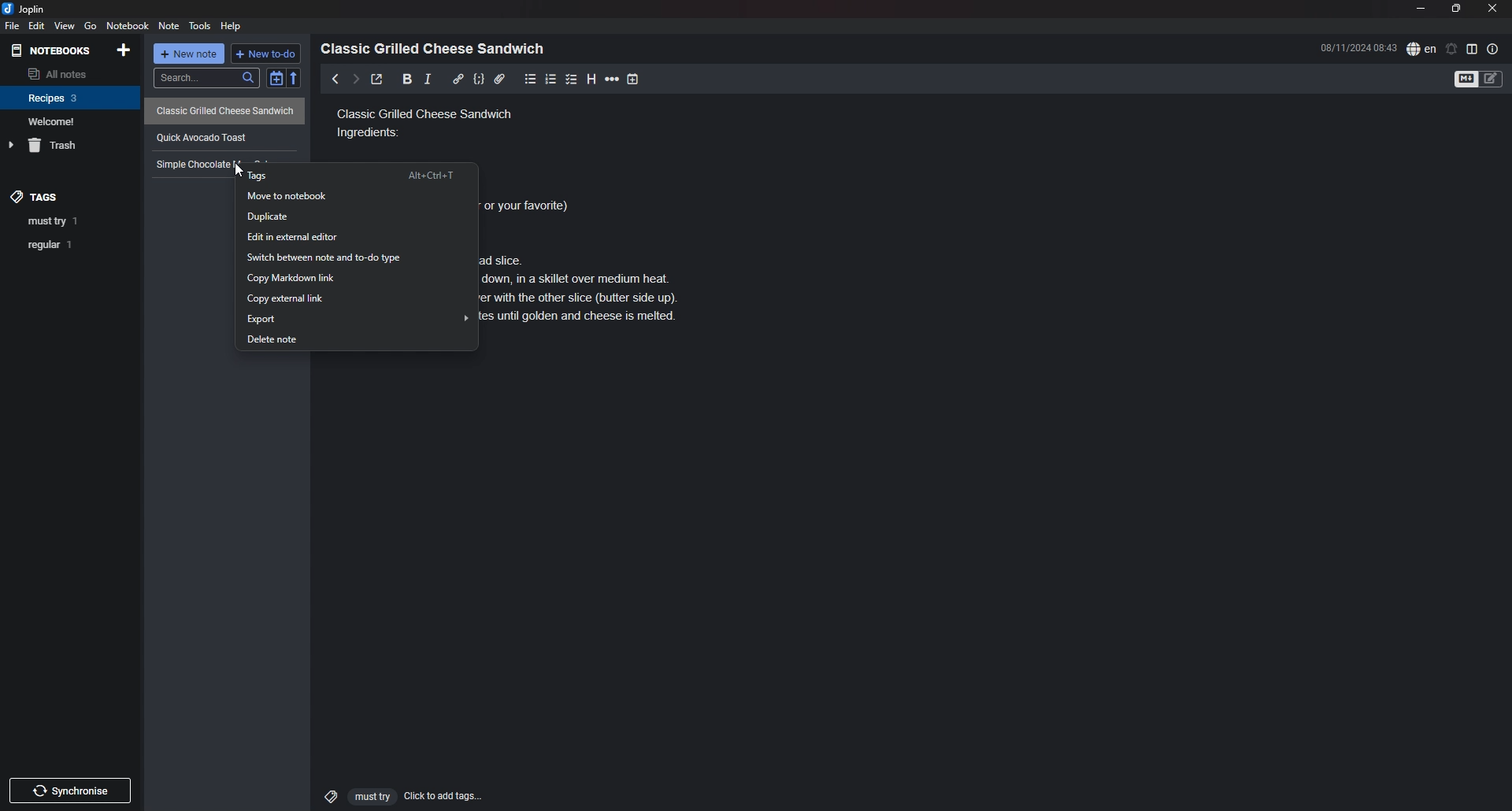 The width and height of the screenshot is (1512, 811). Describe the element at coordinates (11, 27) in the screenshot. I see `file` at that location.